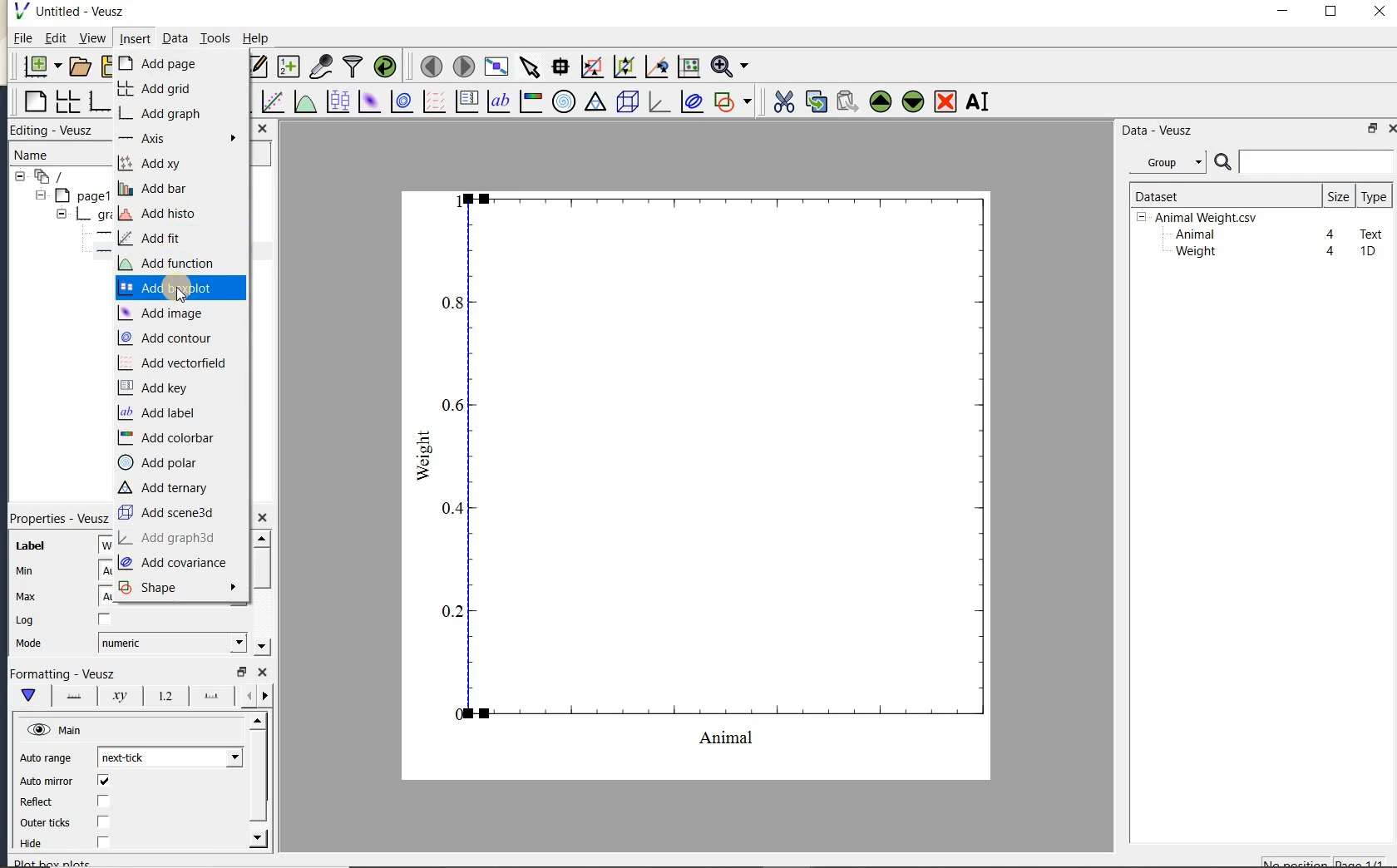  I want to click on next click, so click(170, 757).